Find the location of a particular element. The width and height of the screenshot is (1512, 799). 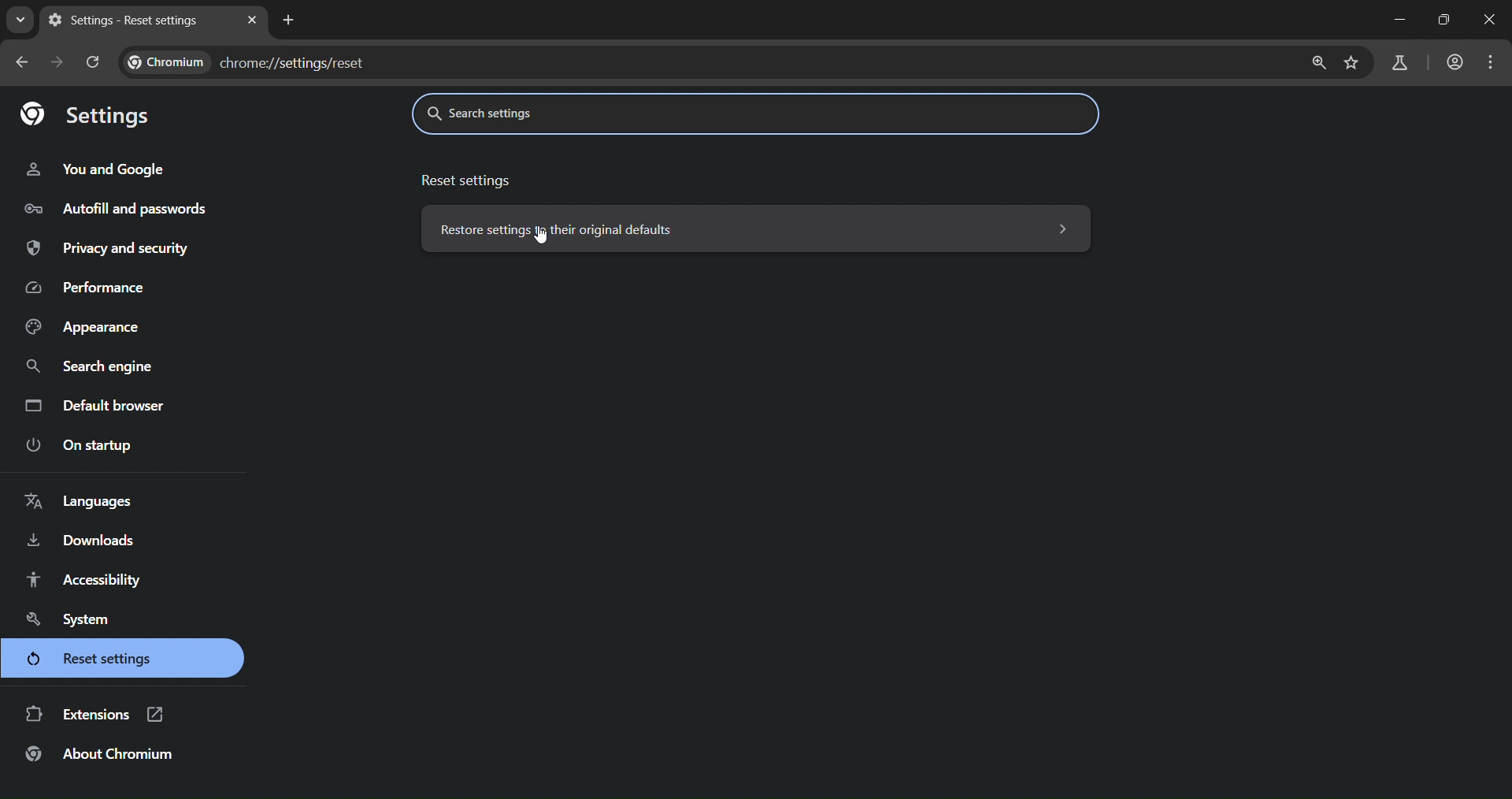

go forward one page is located at coordinates (55, 62).